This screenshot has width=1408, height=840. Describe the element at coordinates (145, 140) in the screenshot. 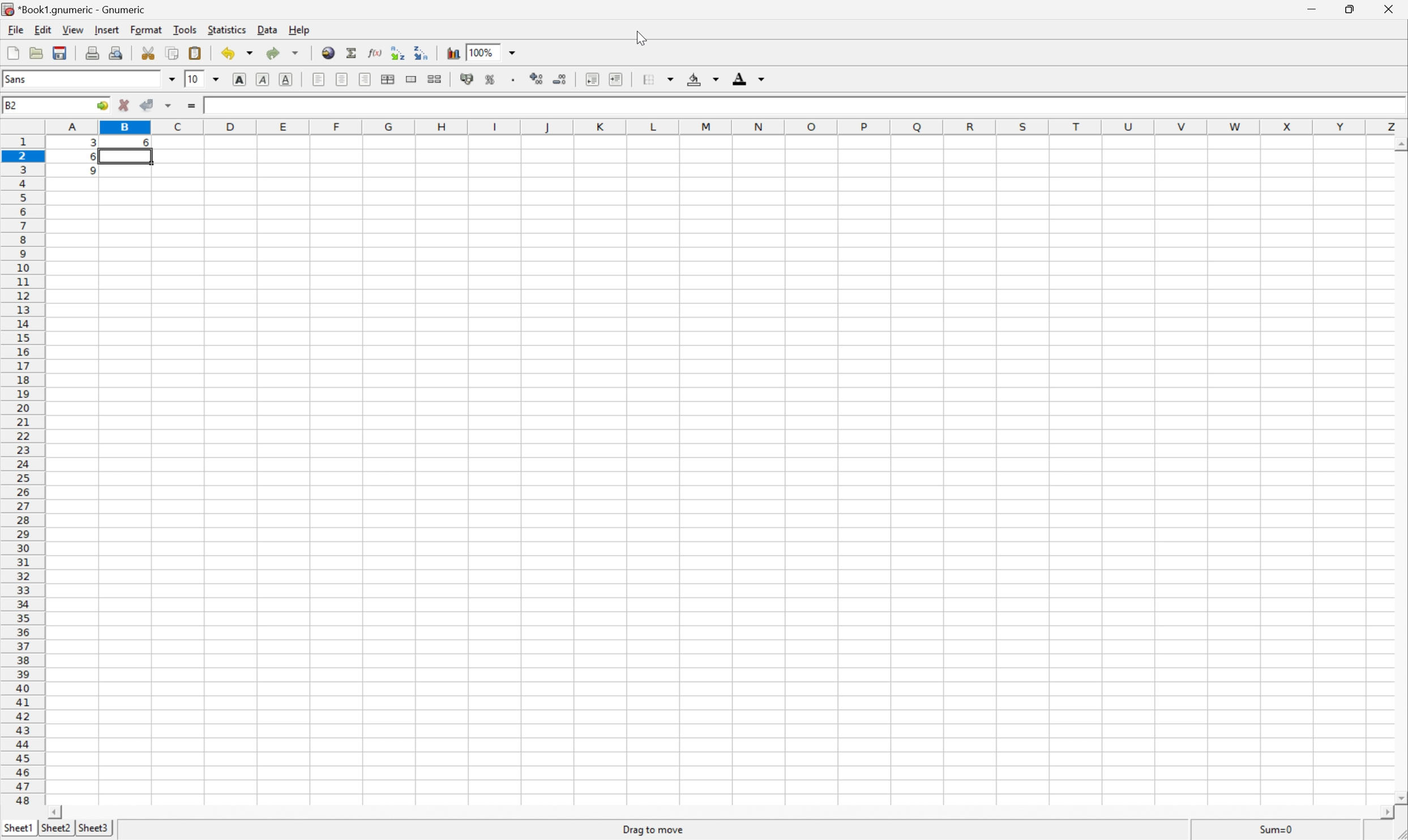

I see `6` at that location.